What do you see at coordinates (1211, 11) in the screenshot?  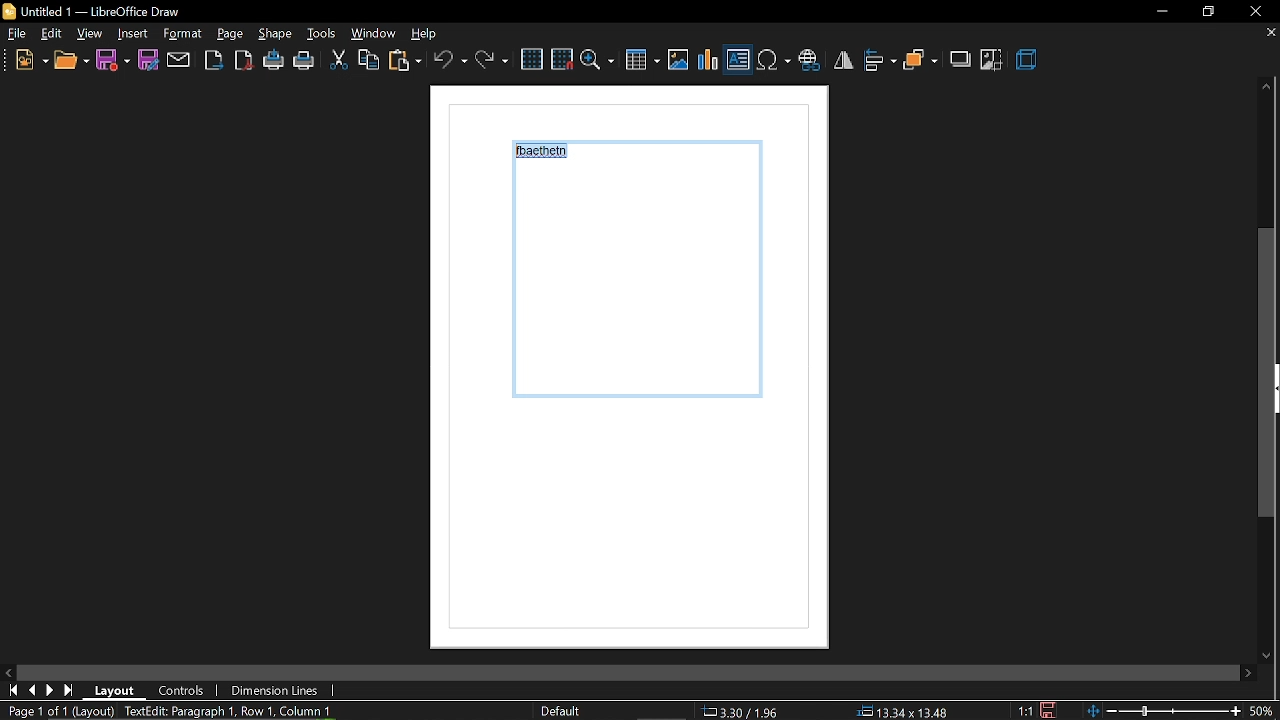 I see `restore down` at bounding box center [1211, 11].